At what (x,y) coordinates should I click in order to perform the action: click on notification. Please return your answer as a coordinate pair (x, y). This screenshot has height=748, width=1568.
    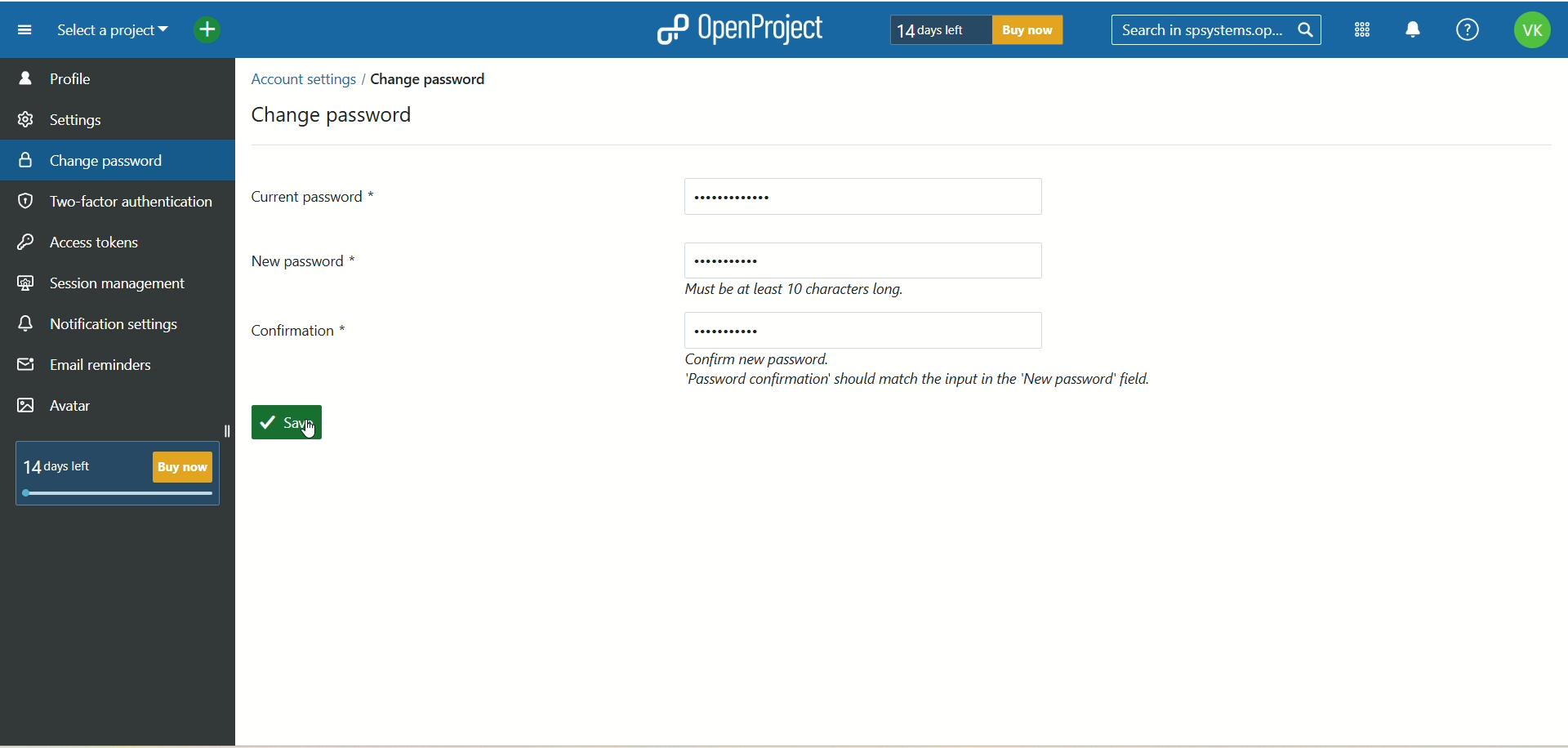
    Looking at the image, I should click on (1414, 32).